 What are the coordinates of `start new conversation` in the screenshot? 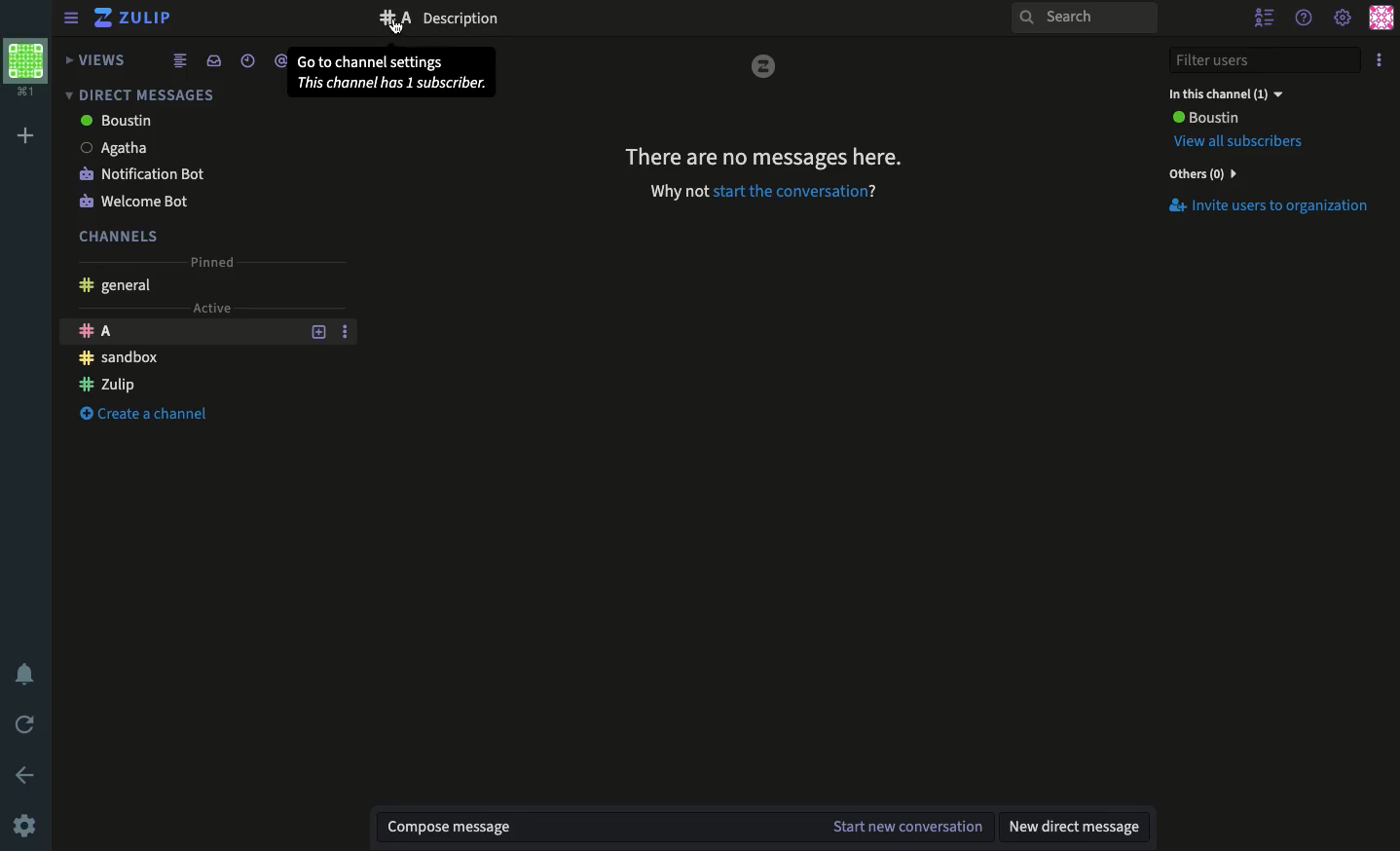 It's located at (905, 828).